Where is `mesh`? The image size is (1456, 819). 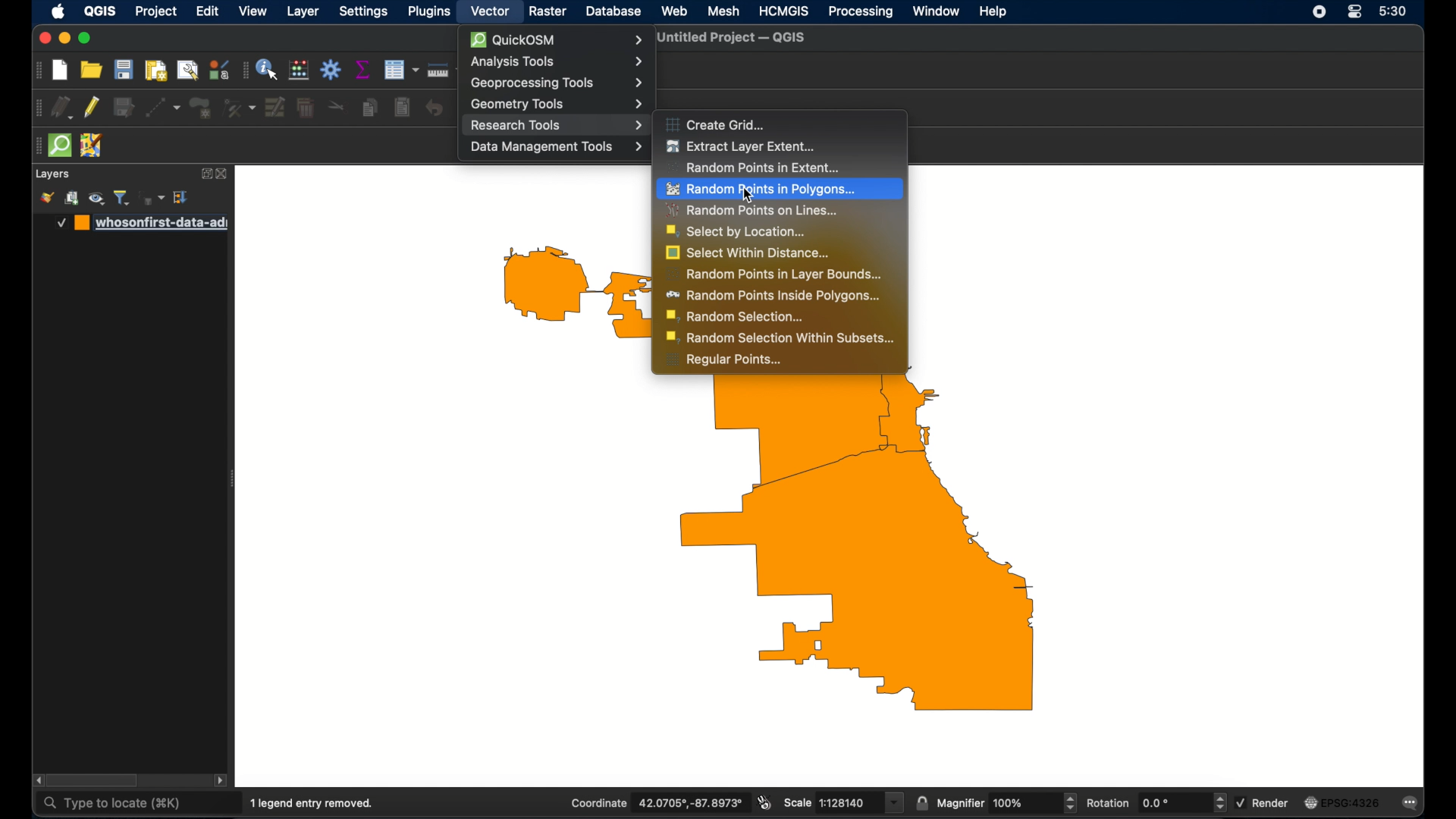 mesh is located at coordinates (723, 12).